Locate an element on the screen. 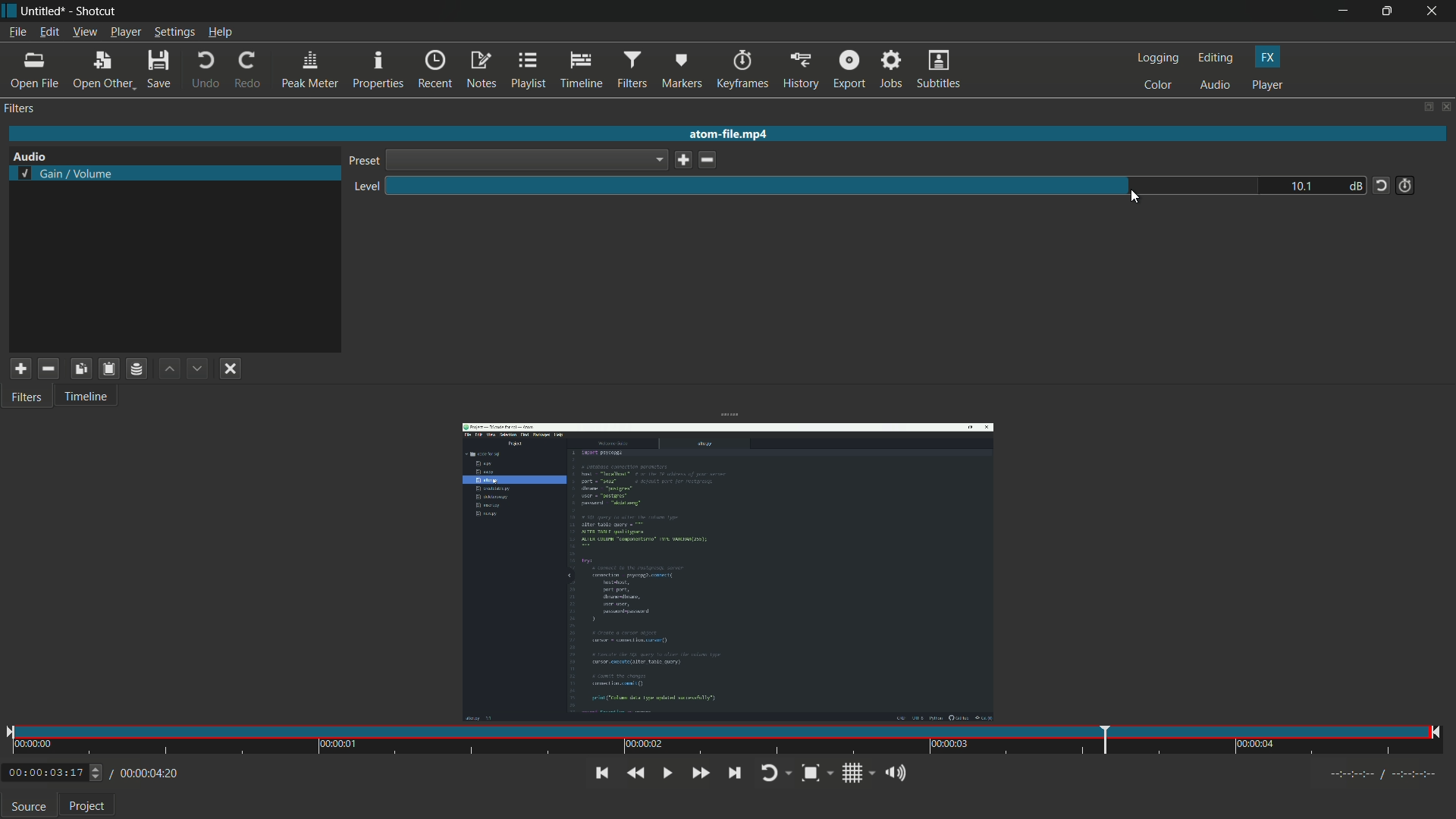 The image size is (1456, 819). 10.1 is located at coordinates (1301, 185).